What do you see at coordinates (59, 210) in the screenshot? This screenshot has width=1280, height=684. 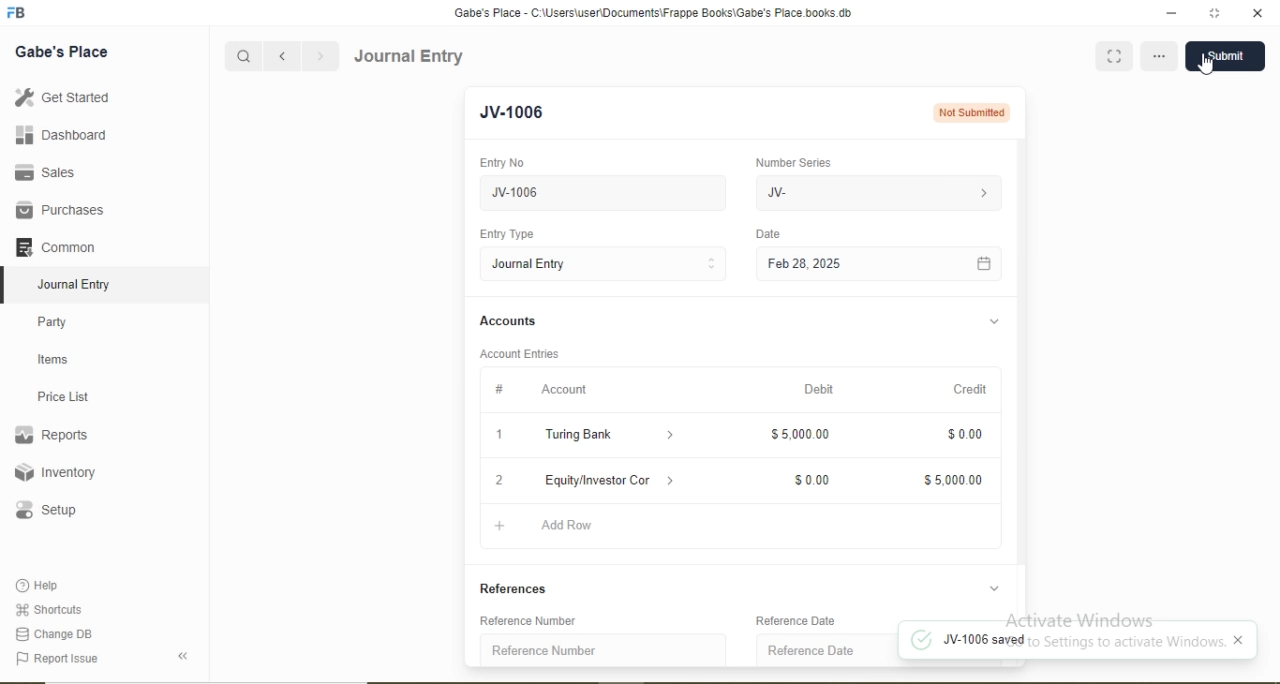 I see `Purchases` at bounding box center [59, 210].